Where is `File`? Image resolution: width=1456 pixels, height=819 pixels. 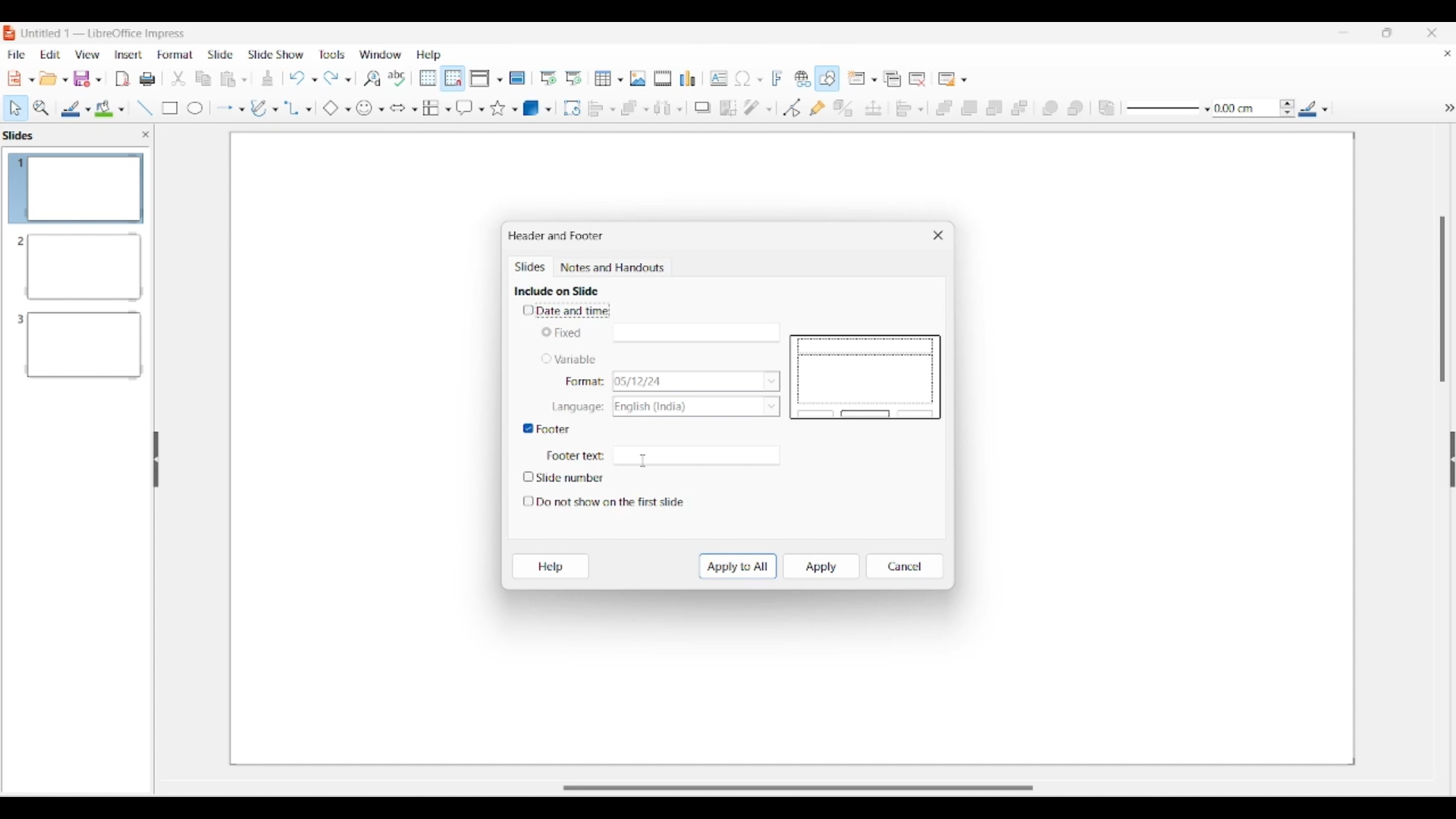
File is located at coordinates (121, 80).